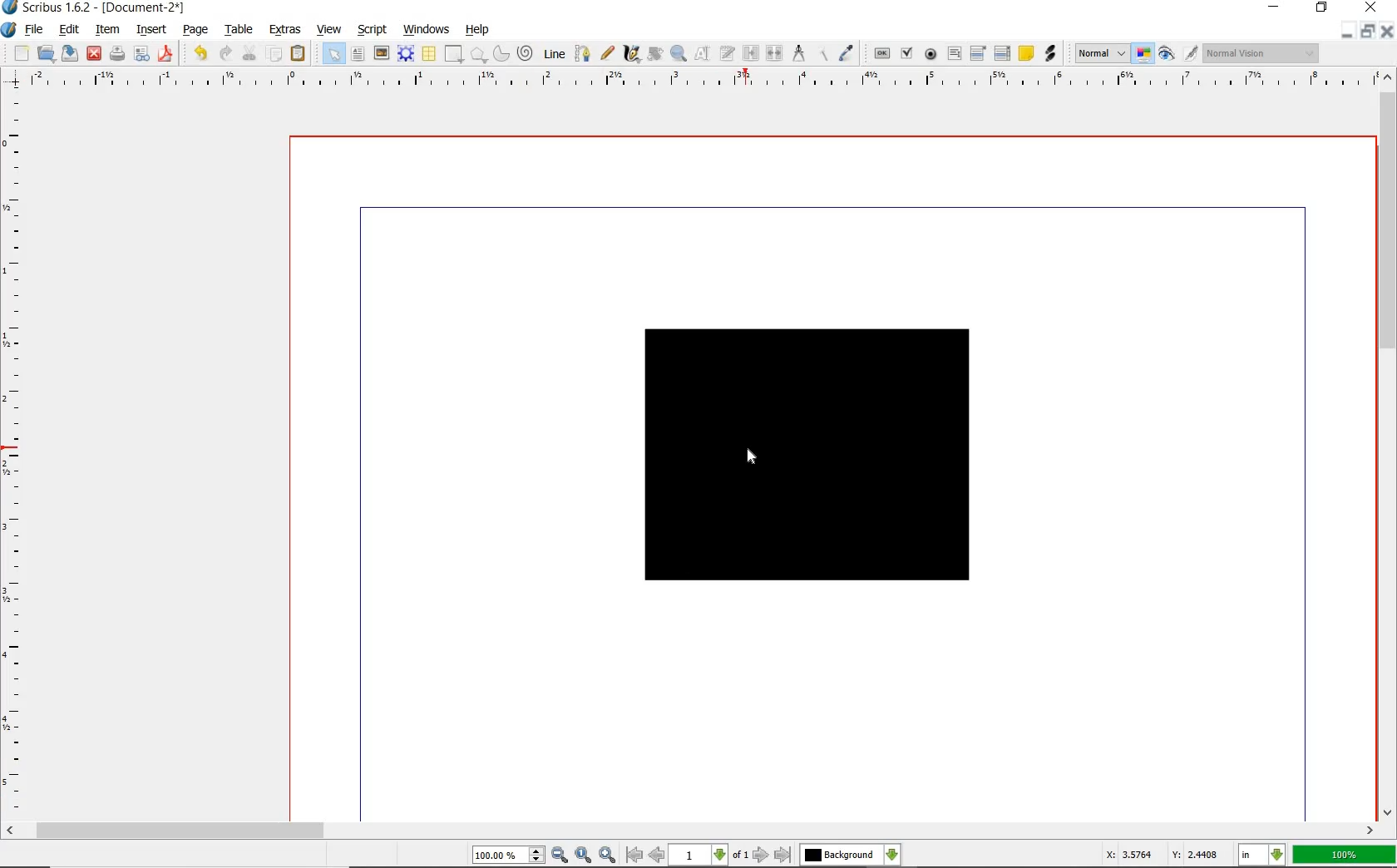 Image resolution: width=1397 pixels, height=868 pixels. I want to click on copy item properties, so click(822, 56).